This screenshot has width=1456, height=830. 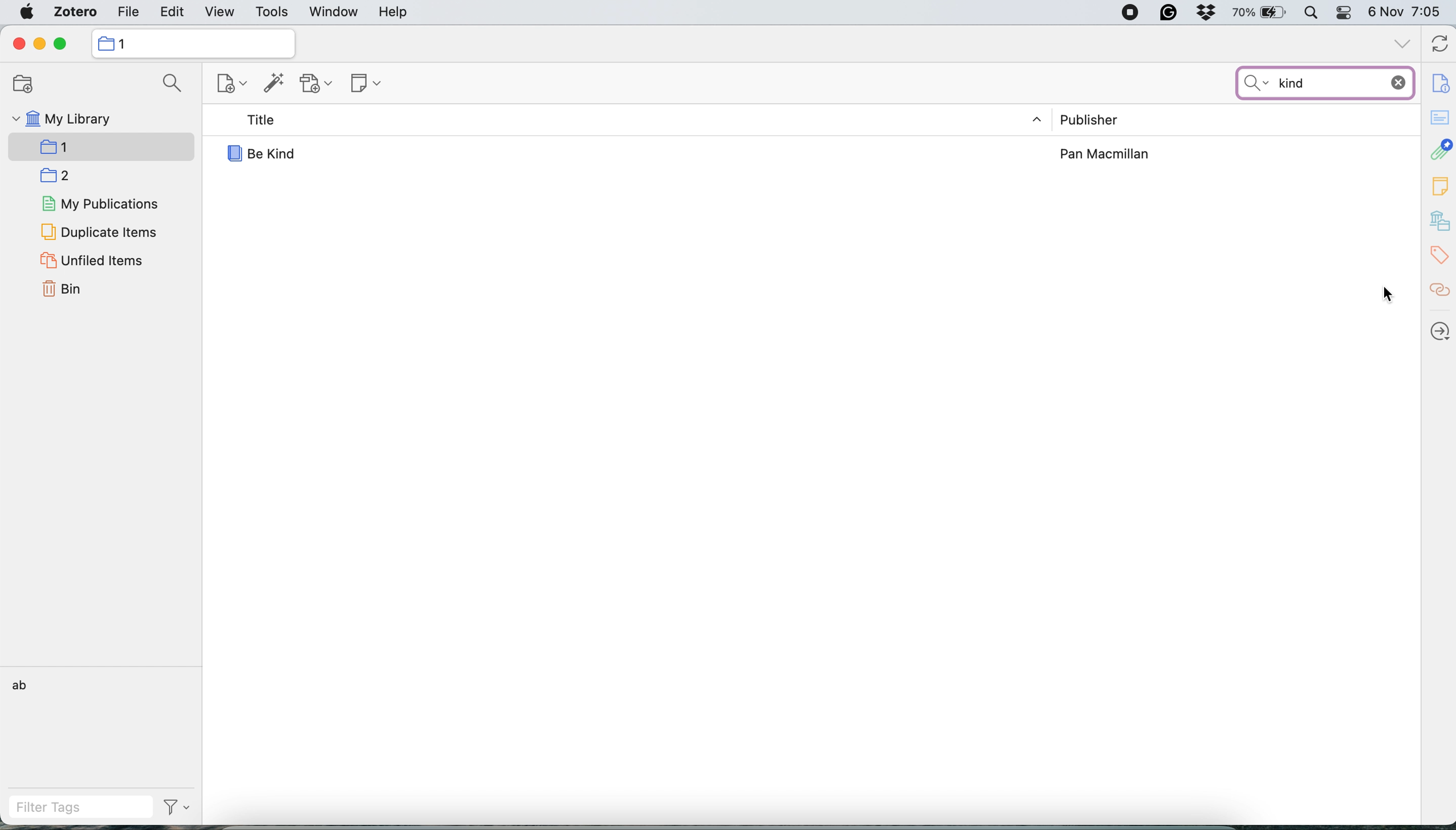 What do you see at coordinates (1439, 117) in the screenshot?
I see `abstract` at bounding box center [1439, 117].